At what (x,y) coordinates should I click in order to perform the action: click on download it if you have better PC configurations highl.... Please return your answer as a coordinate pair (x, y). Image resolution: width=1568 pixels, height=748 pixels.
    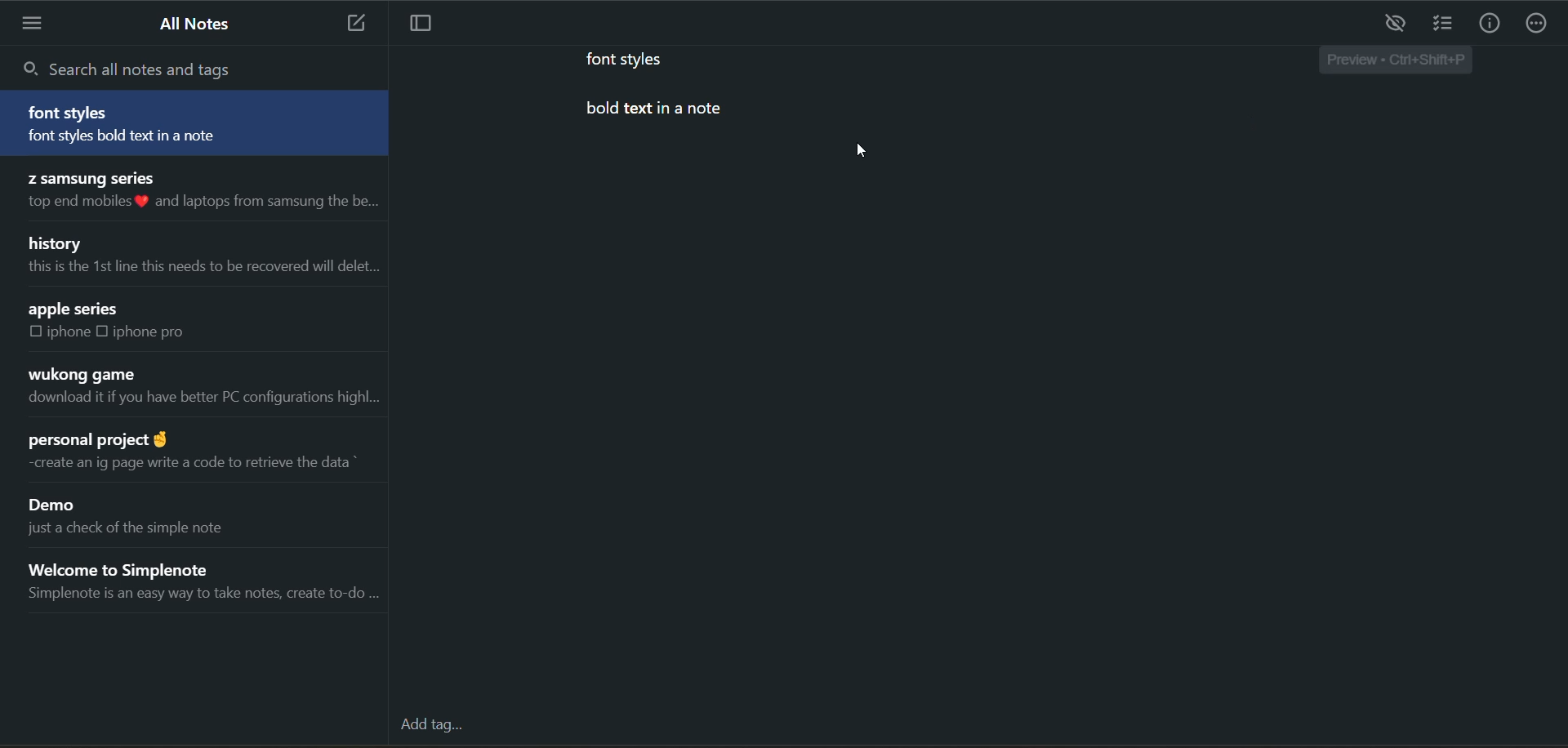
    Looking at the image, I should click on (202, 401).